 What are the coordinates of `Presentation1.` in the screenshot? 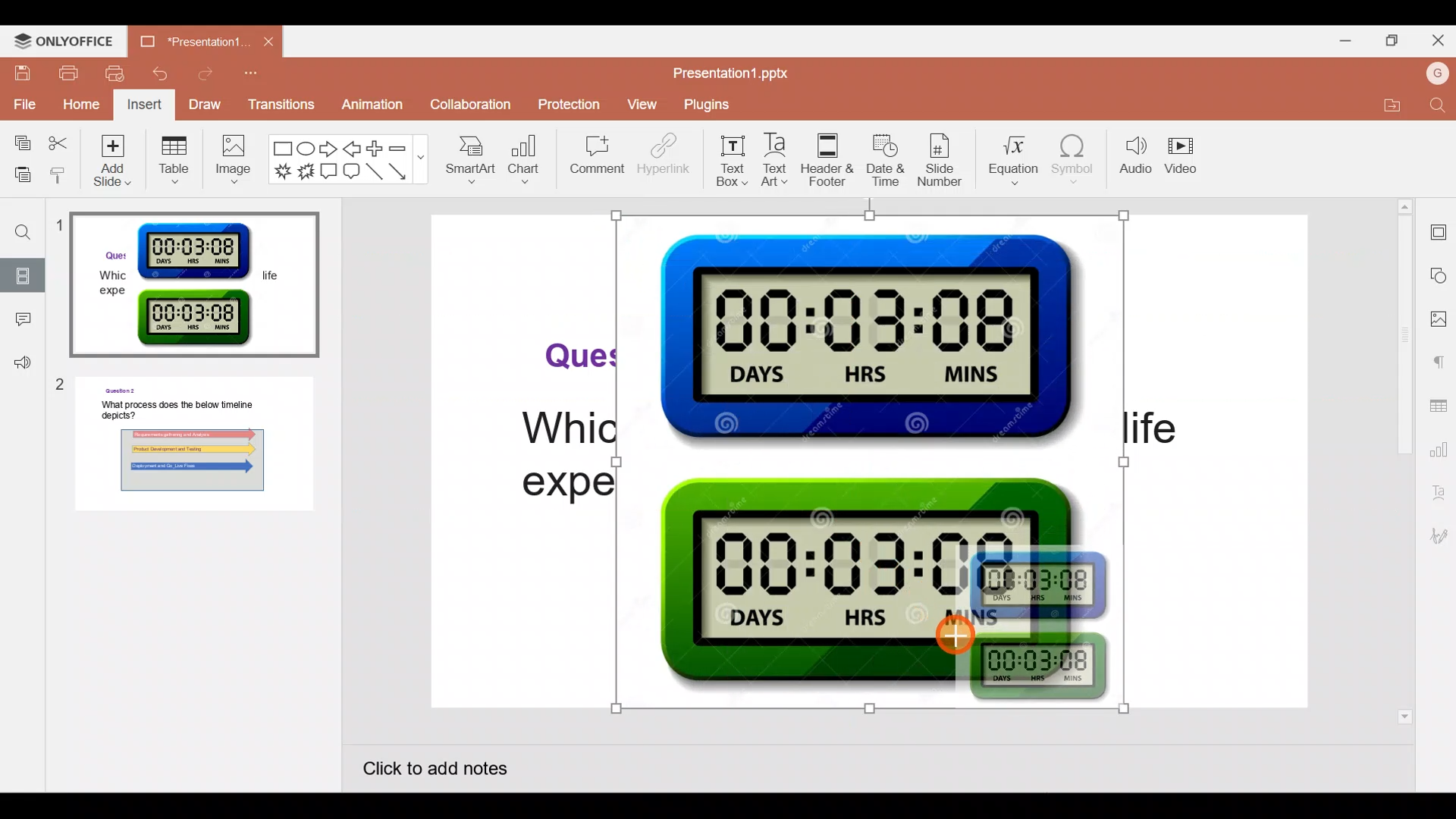 It's located at (196, 39).